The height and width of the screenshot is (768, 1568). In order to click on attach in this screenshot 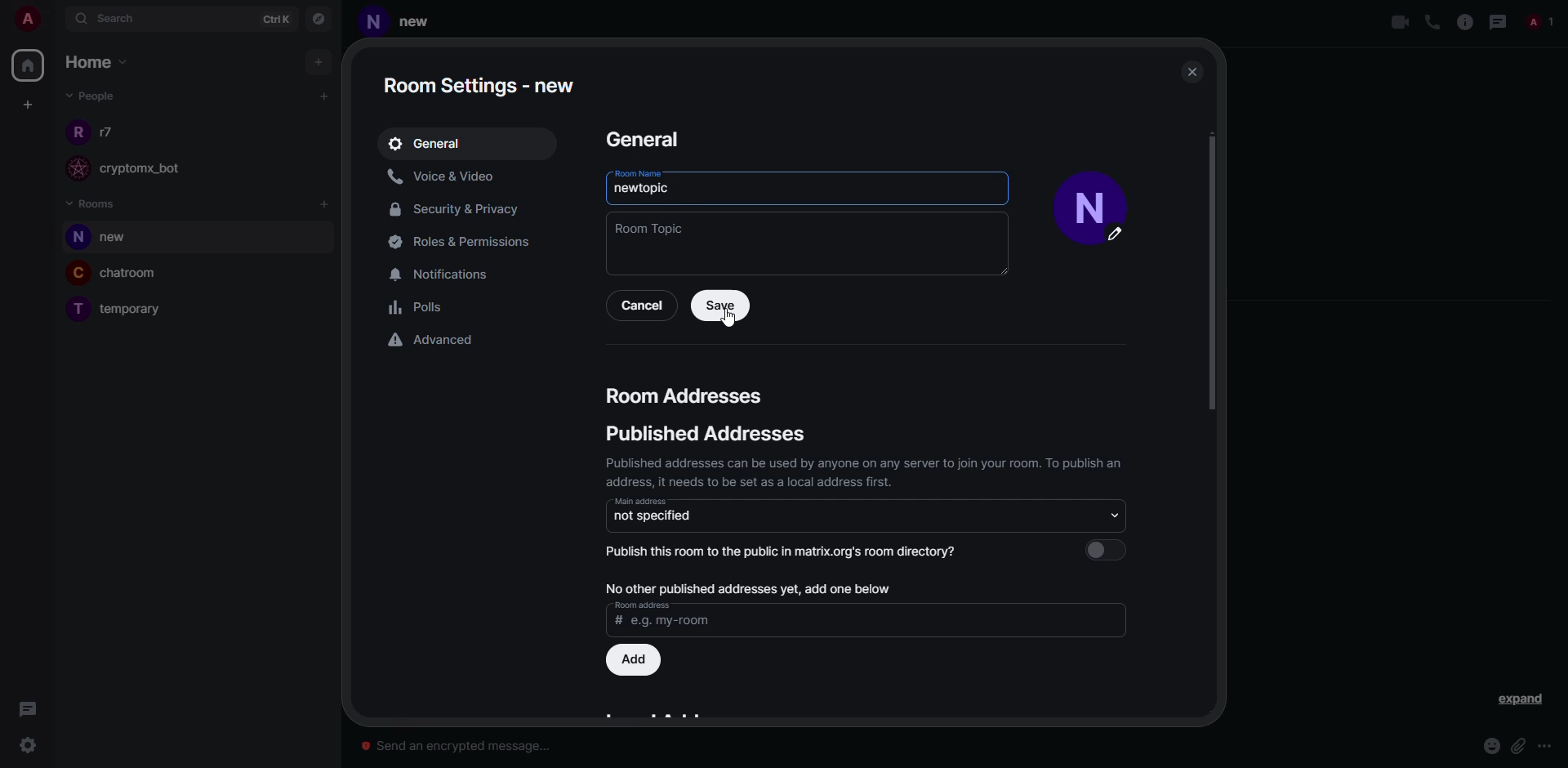, I will do `click(1518, 746)`.